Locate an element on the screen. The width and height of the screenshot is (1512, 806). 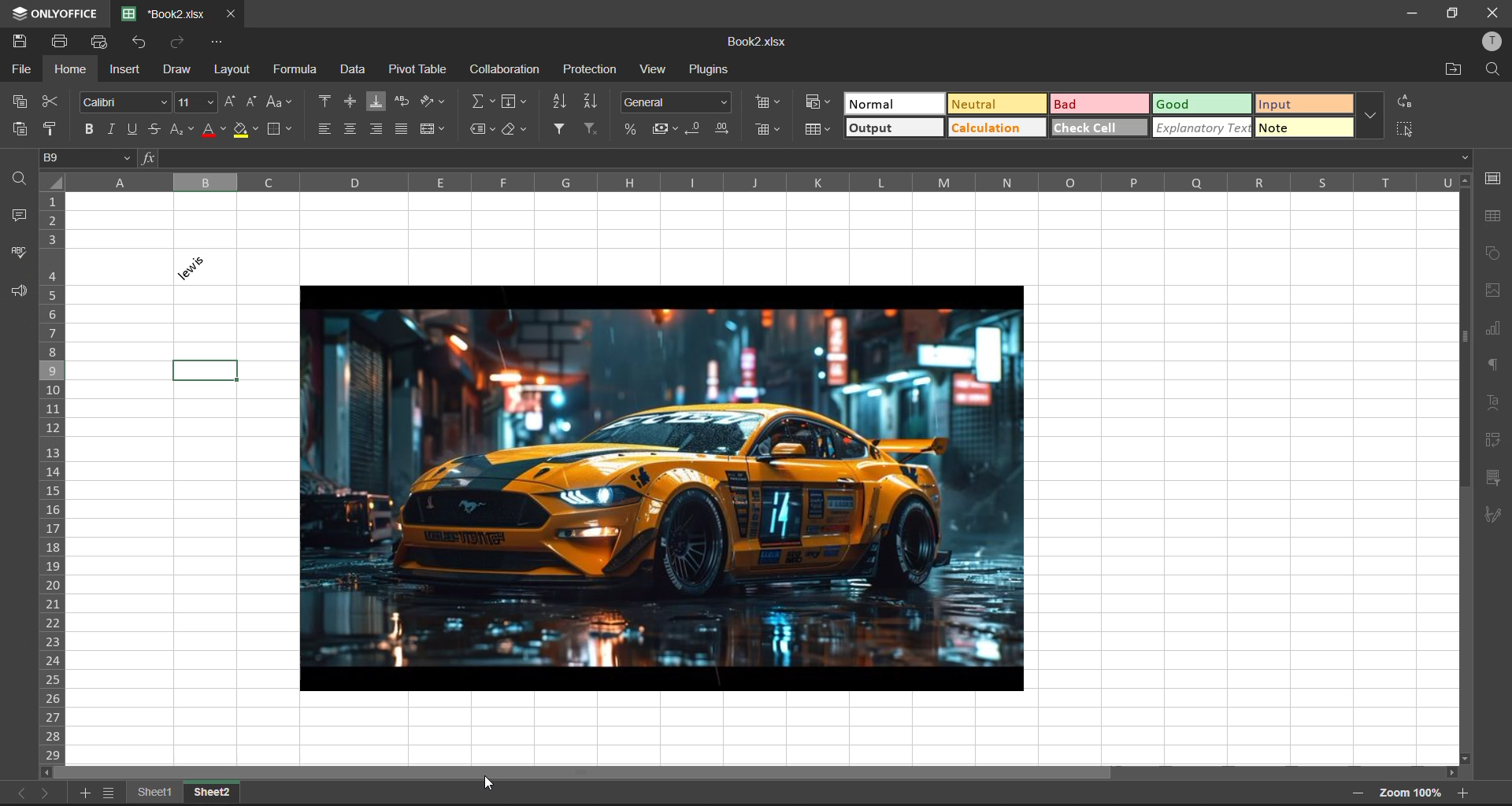
formula bar is located at coordinates (804, 160).